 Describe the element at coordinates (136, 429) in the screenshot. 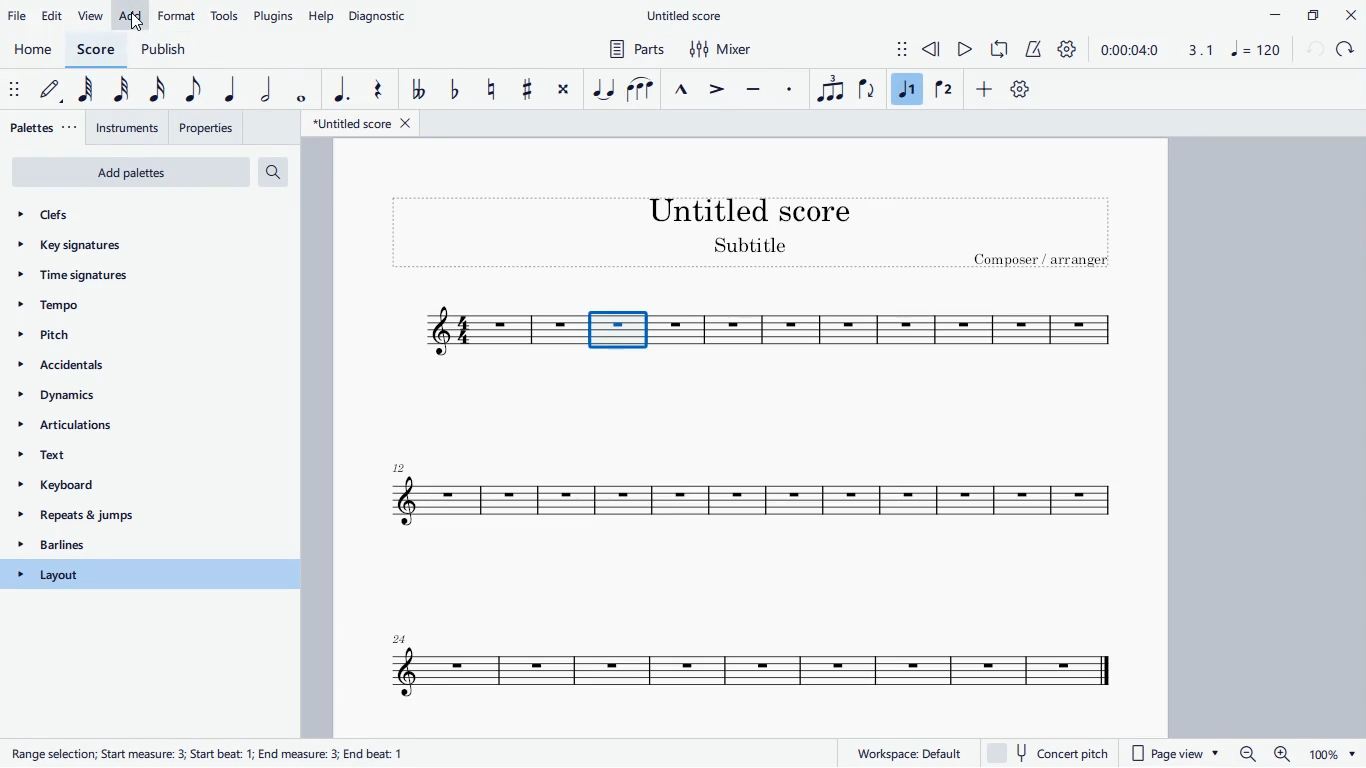

I see `articulations` at that location.